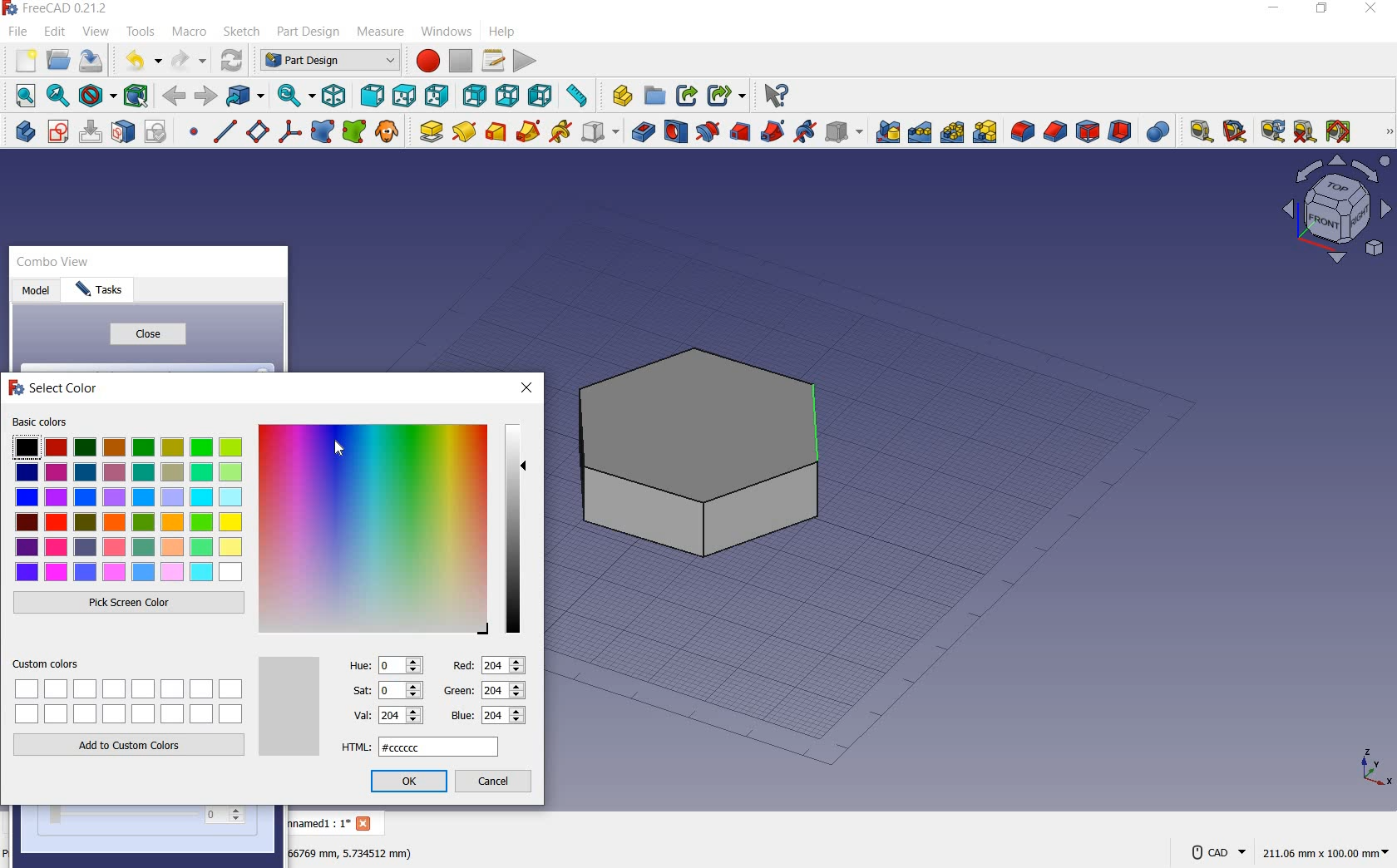 This screenshot has width=1397, height=868. I want to click on front, so click(372, 96).